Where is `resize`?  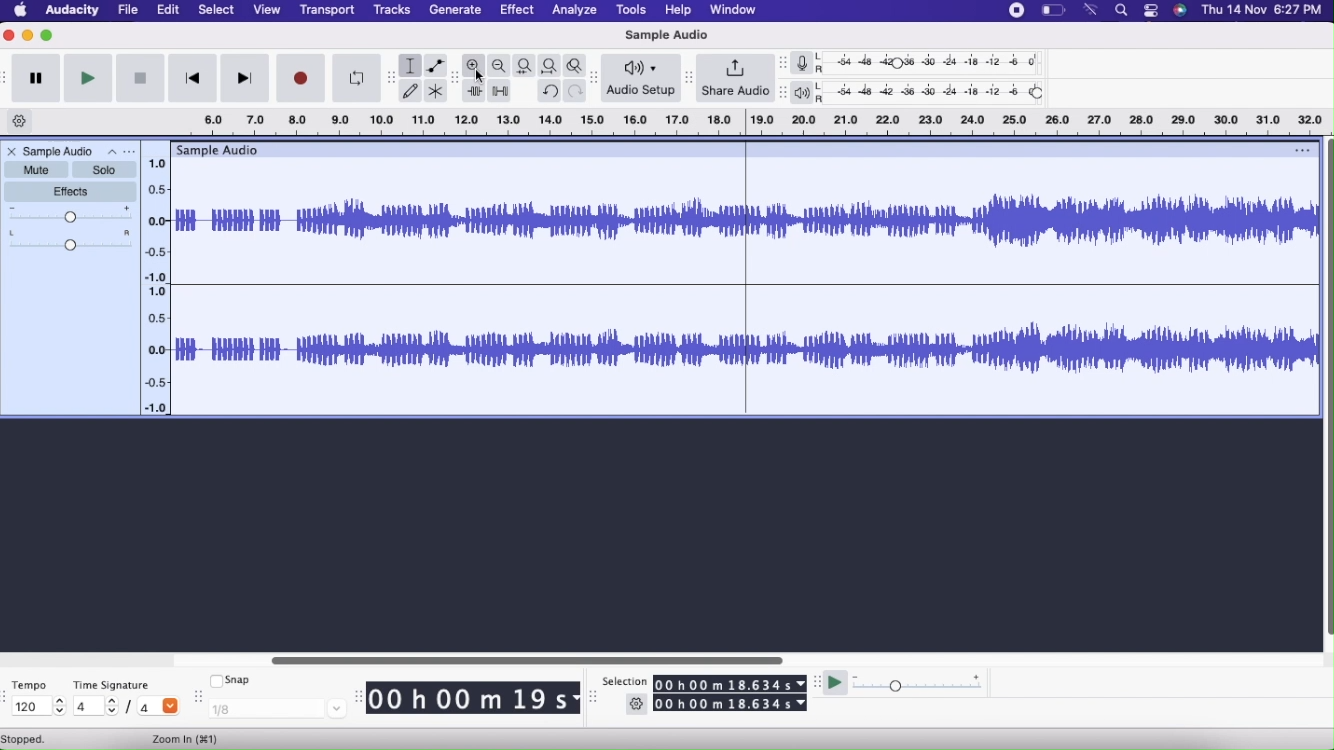 resize is located at coordinates (689, 77).